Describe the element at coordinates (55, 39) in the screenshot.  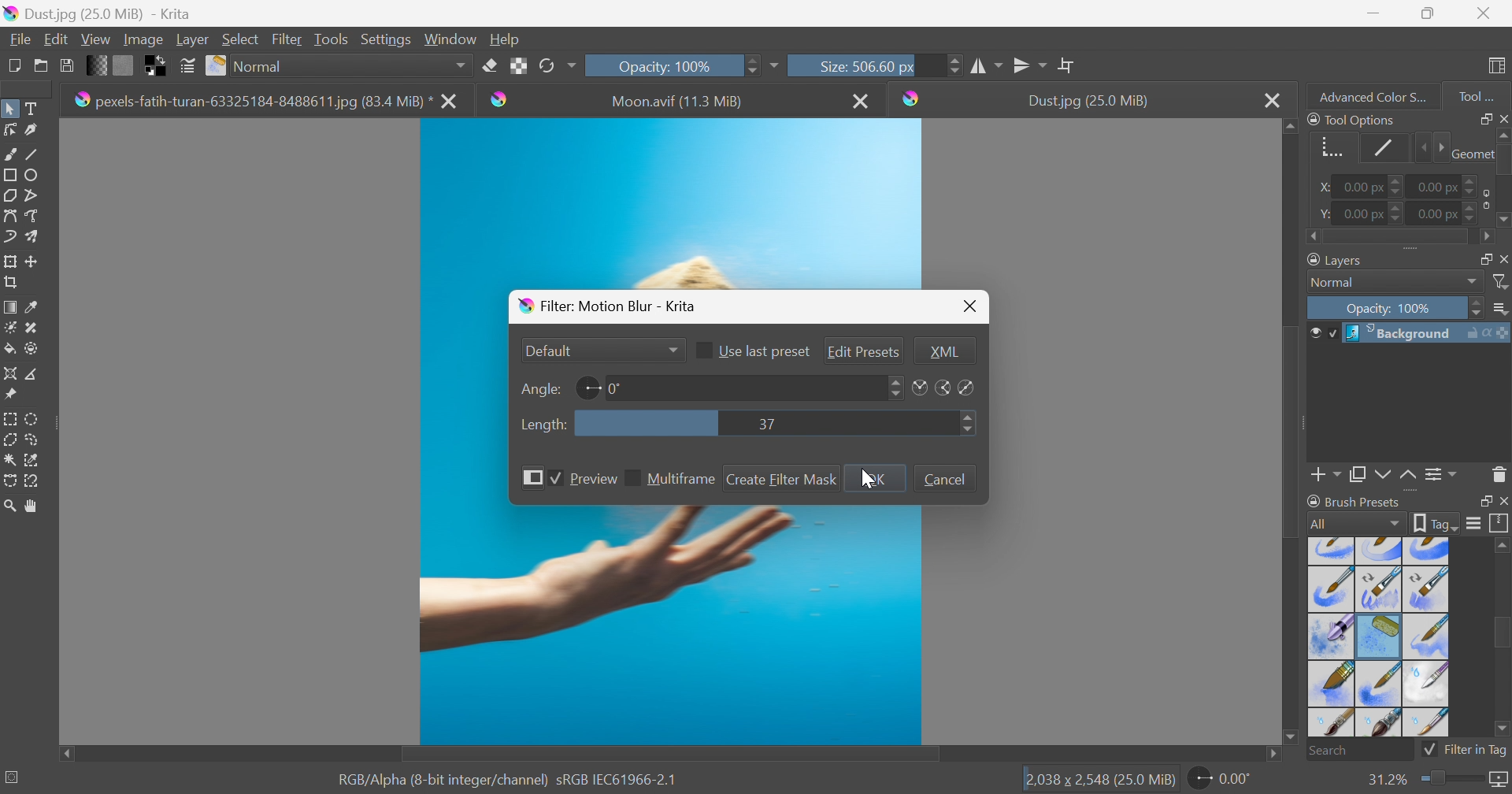
I see `Edit` at that location.